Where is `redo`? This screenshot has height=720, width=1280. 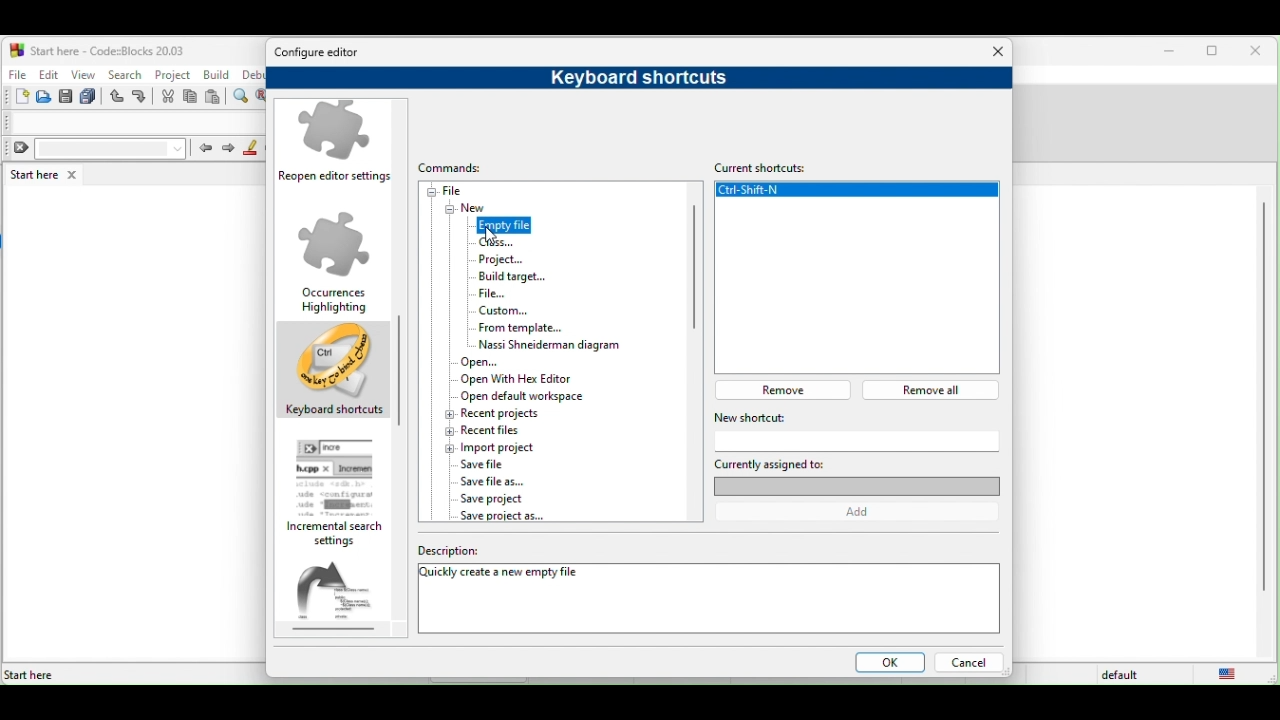 redo is located at coordinates (142, 97).